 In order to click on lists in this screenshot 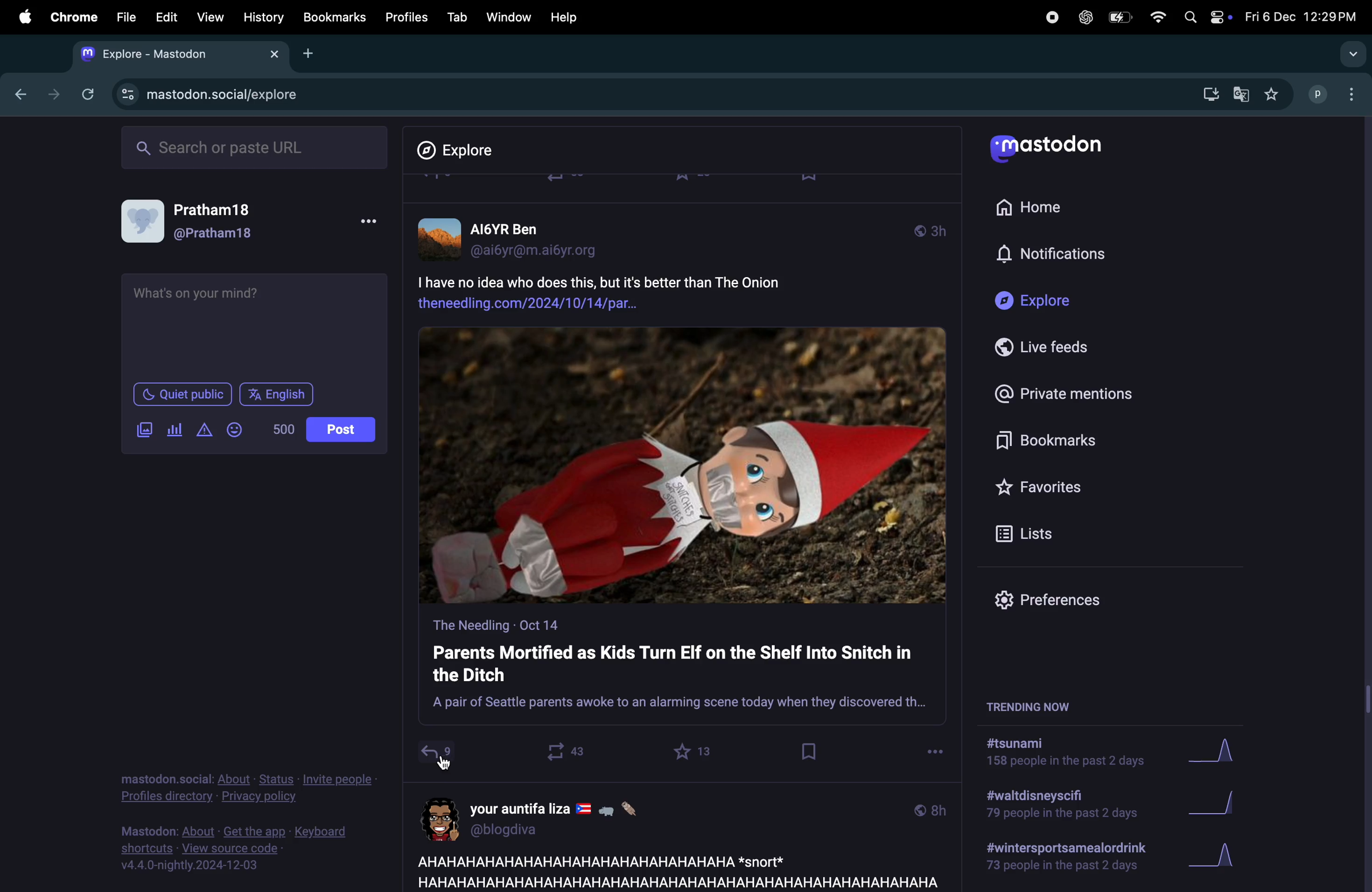, I will do `click(1030, 533)`.